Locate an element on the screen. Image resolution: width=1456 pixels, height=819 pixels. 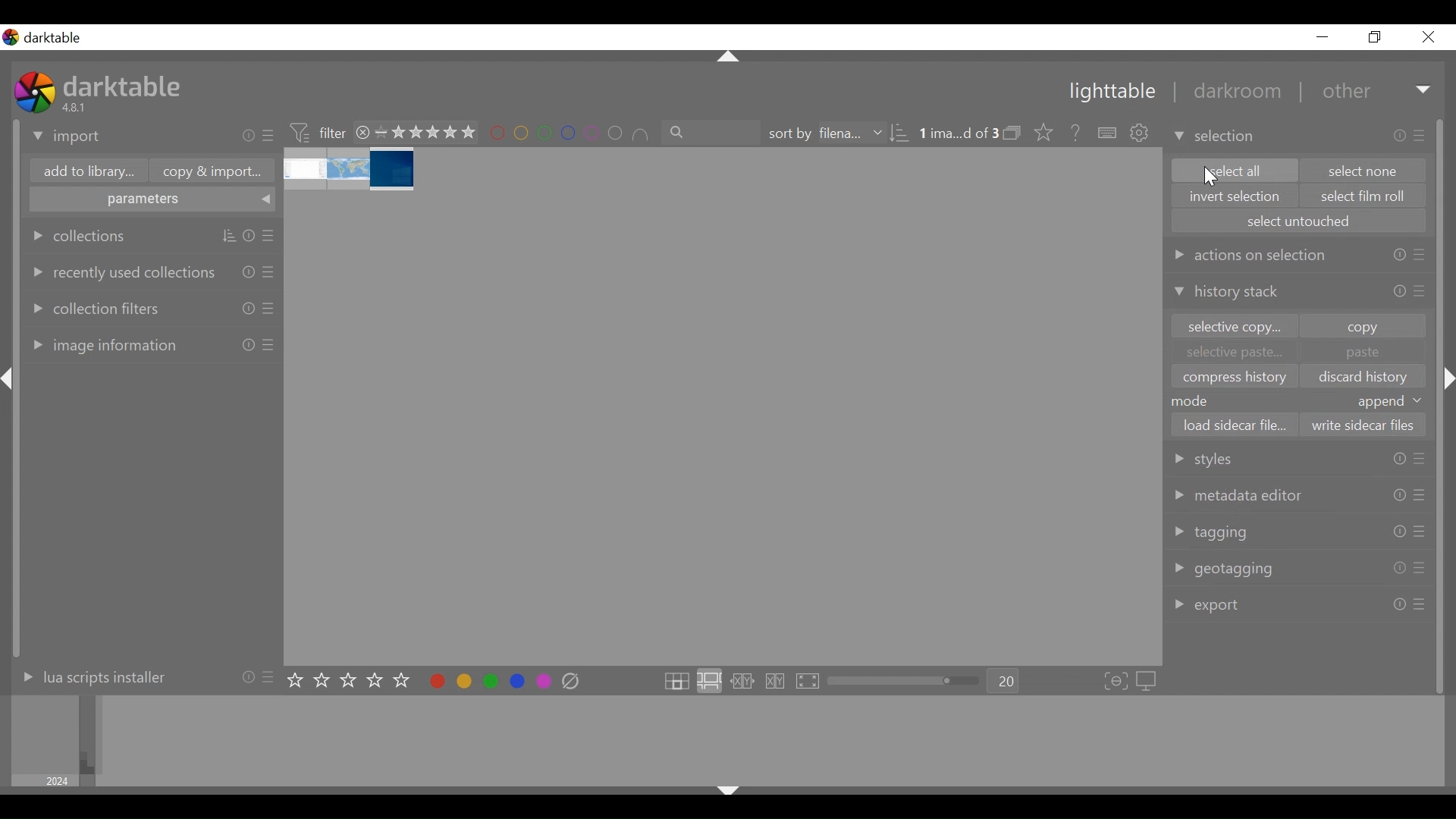
presets is located at coordinates (1421, 291).